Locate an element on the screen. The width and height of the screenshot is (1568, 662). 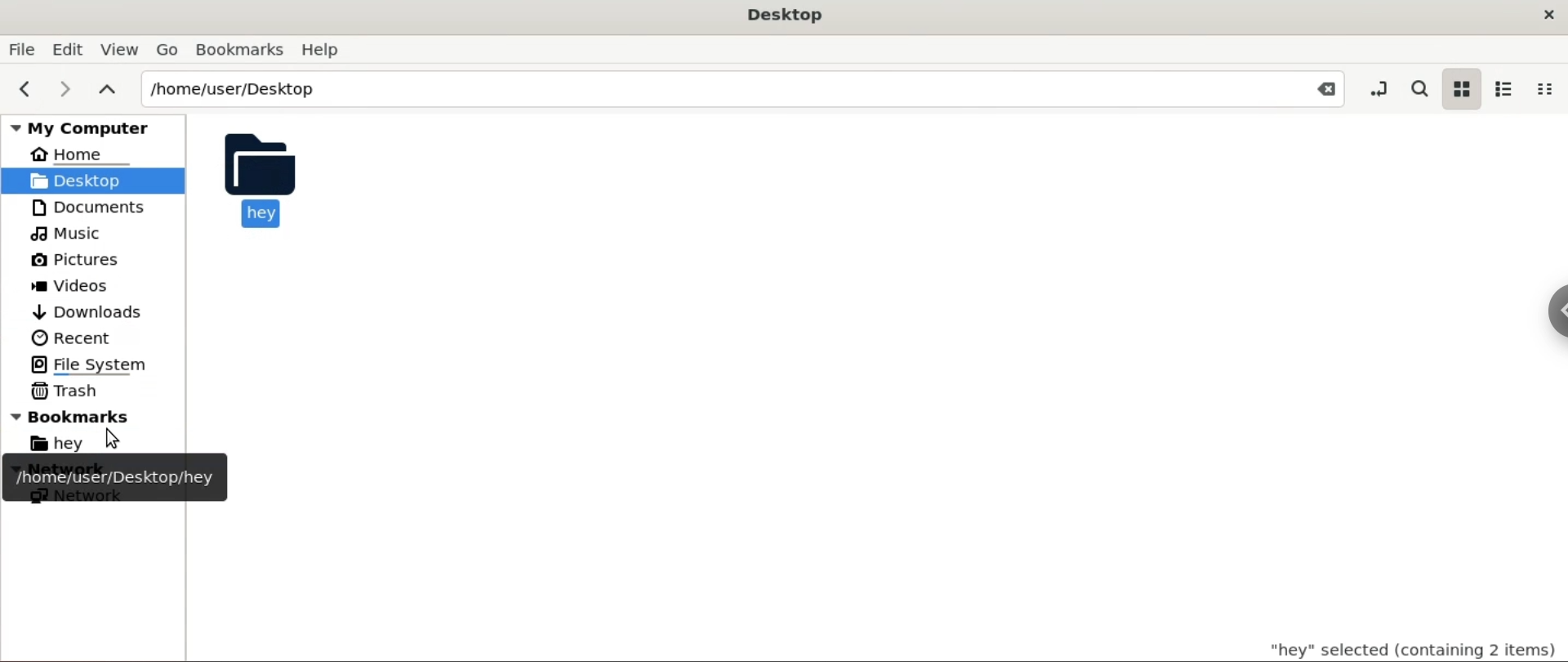
Documents is located at coordinates (87, 207).